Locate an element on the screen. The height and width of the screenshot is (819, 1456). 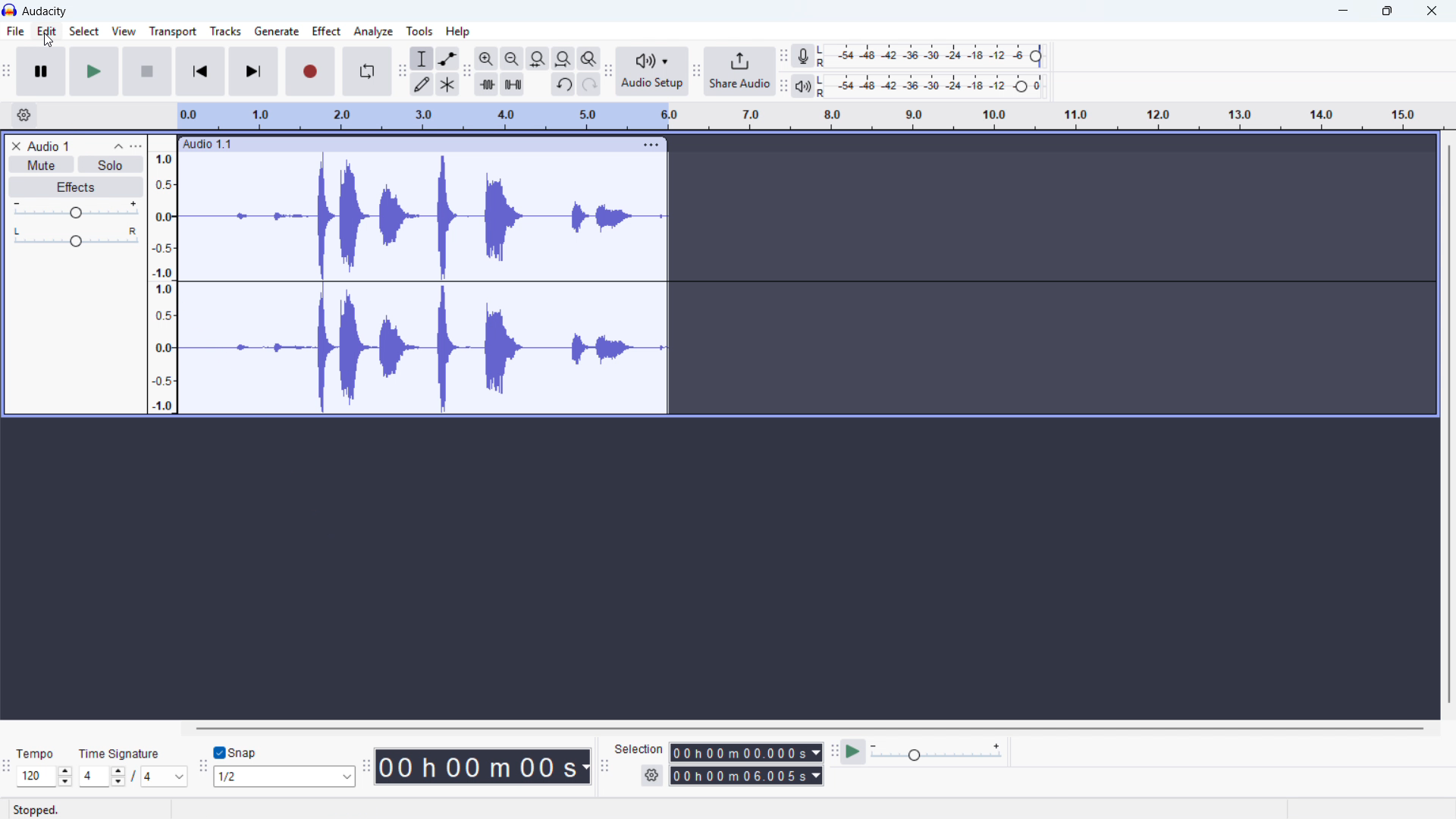
undo is located at coordinates (563, 85).